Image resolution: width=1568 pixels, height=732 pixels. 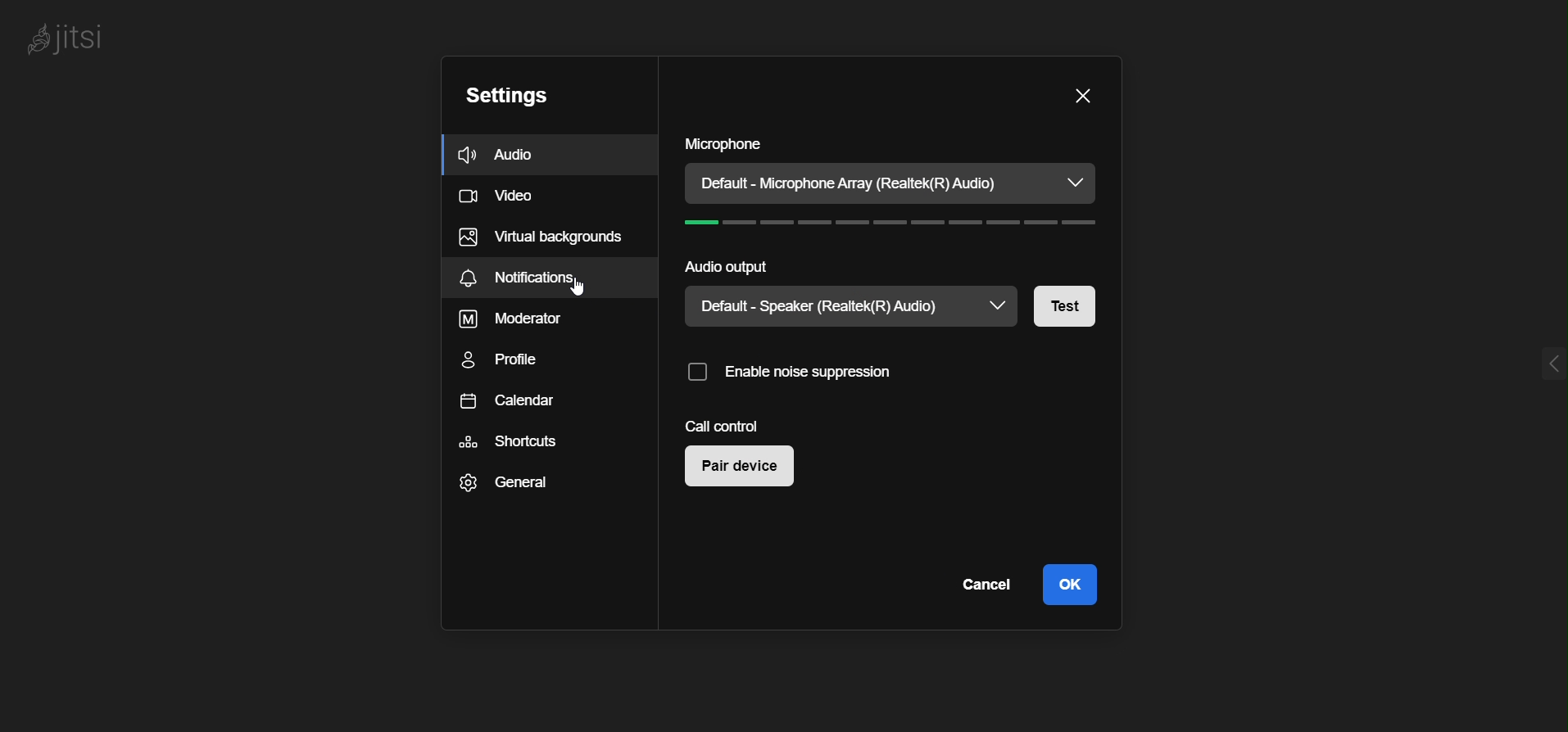 What do you see at coordinates (514, 364) in the screenshot?
I see `profile` at bounding box center [514, 364].